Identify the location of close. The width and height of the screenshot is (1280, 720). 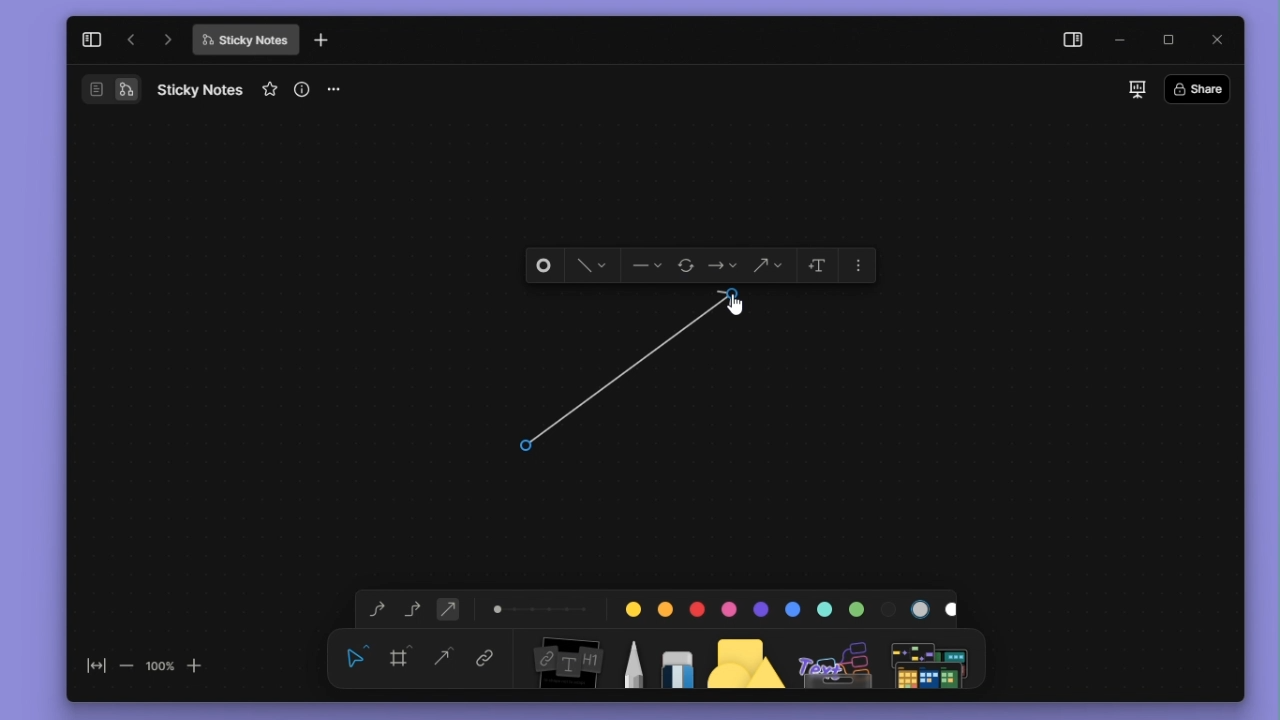
(1219, 38).